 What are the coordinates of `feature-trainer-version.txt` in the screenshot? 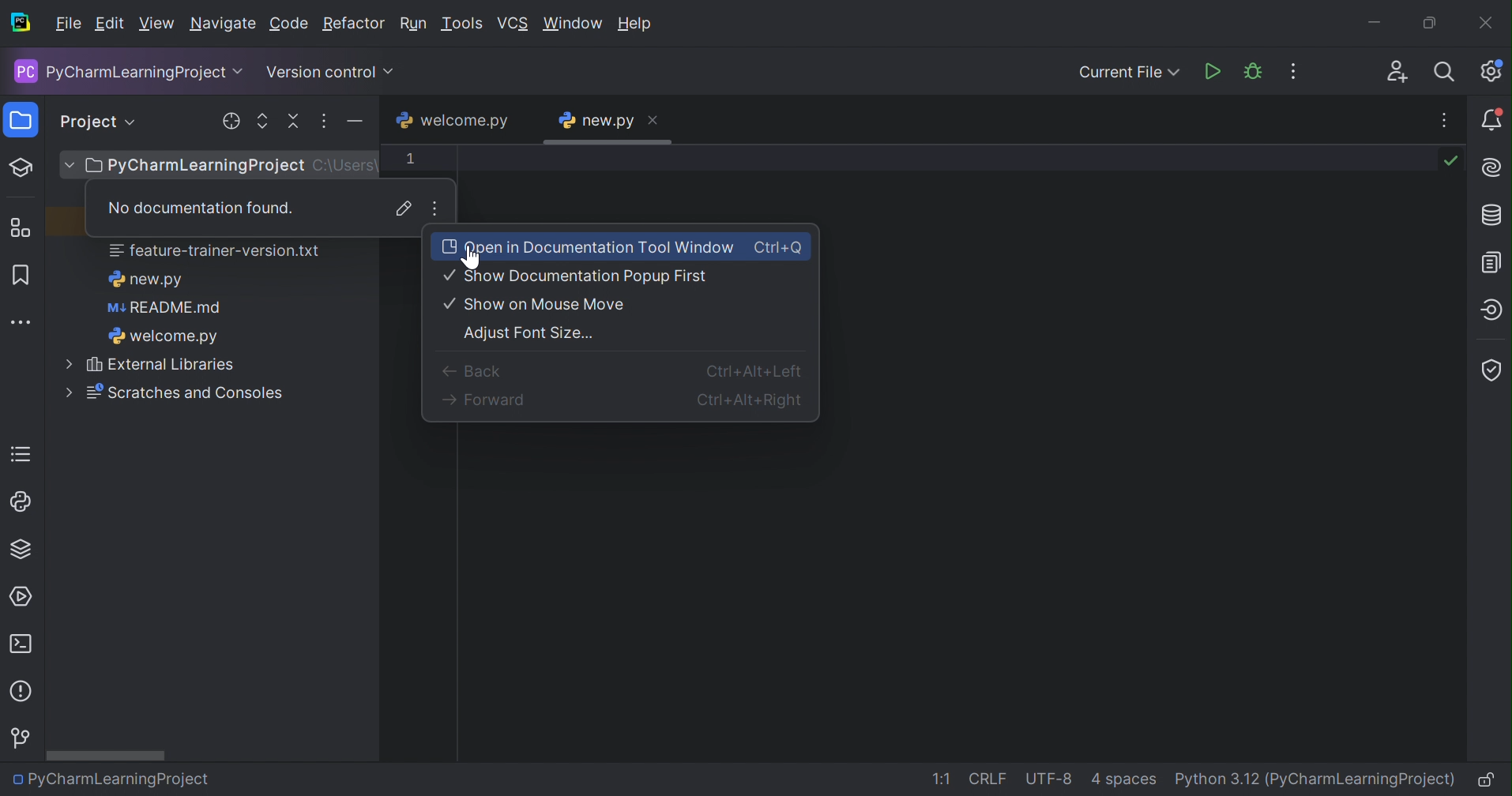 It's located at (216, 253).